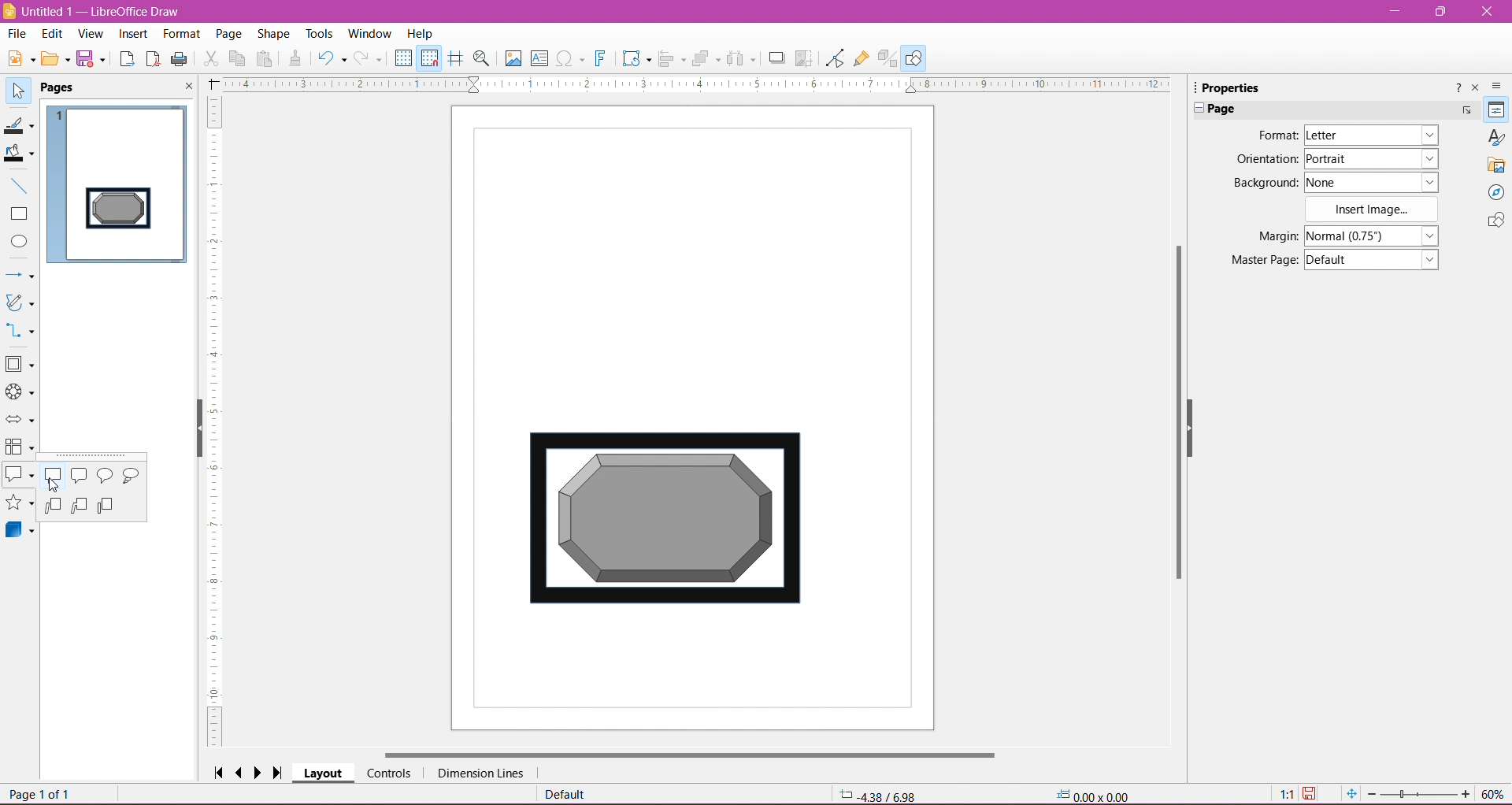  What do you see at coordinates (421, 33) in the screenshot?
I see `Help` at bounding box center [421, 33].